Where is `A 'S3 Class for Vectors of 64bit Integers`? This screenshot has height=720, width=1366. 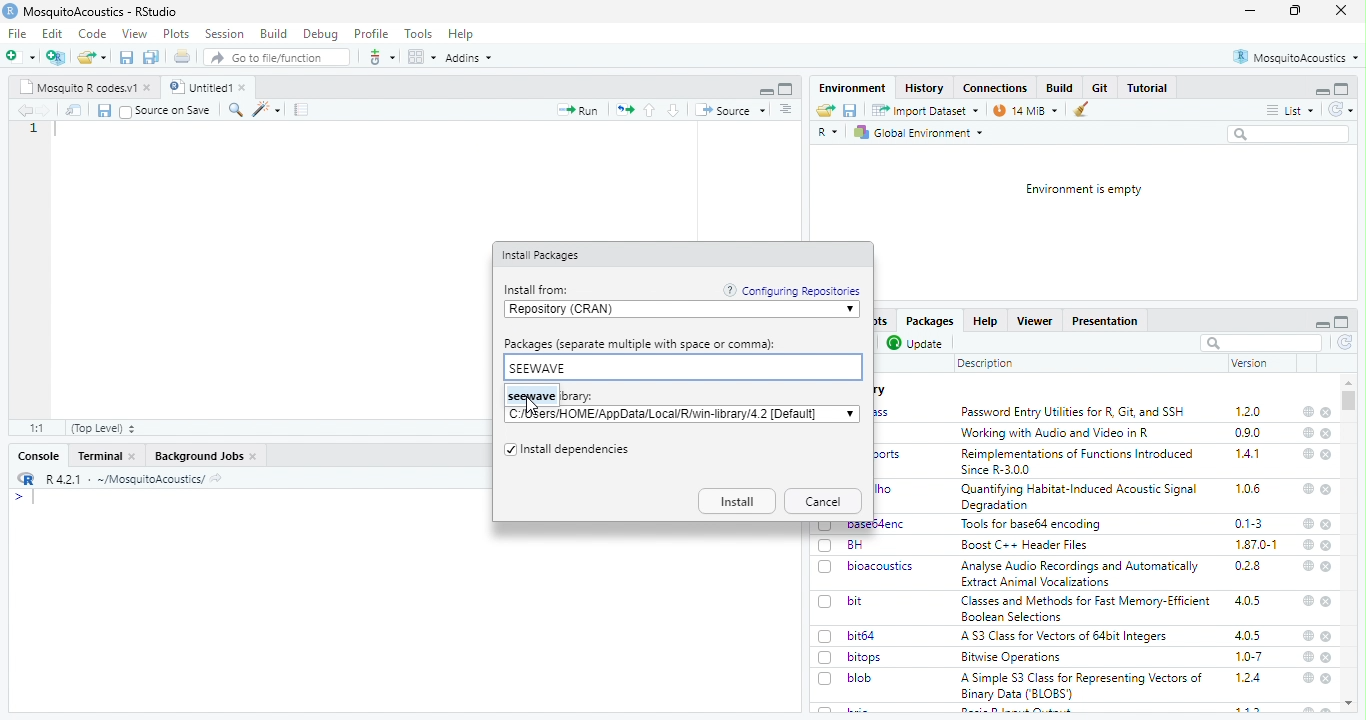
A 'S3 Class for Vectors of 64bit Integers is located at coordinates (1066, 637).